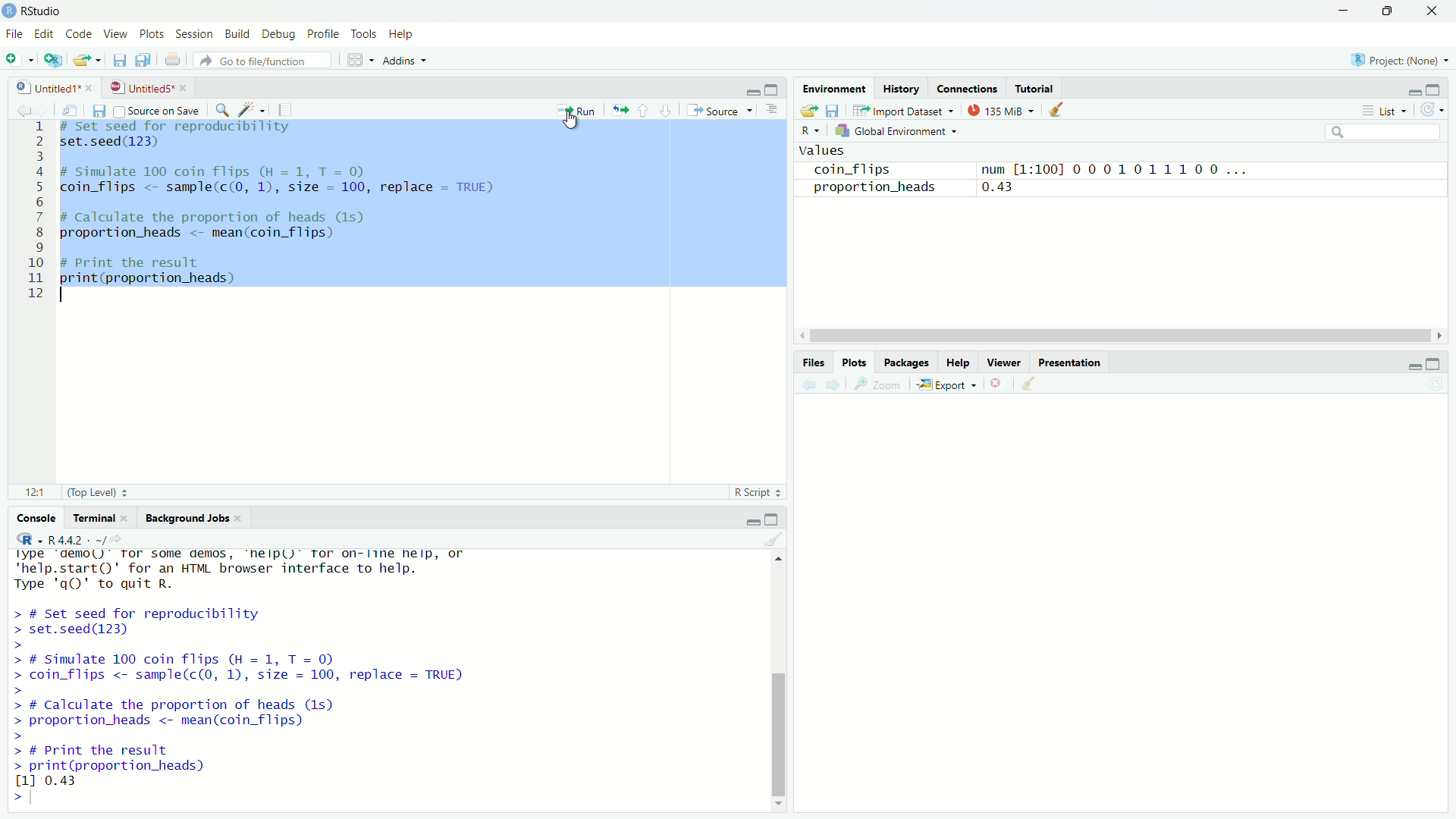 The image size is (1456, 819). I want to click on maximize, so click(775, 89).